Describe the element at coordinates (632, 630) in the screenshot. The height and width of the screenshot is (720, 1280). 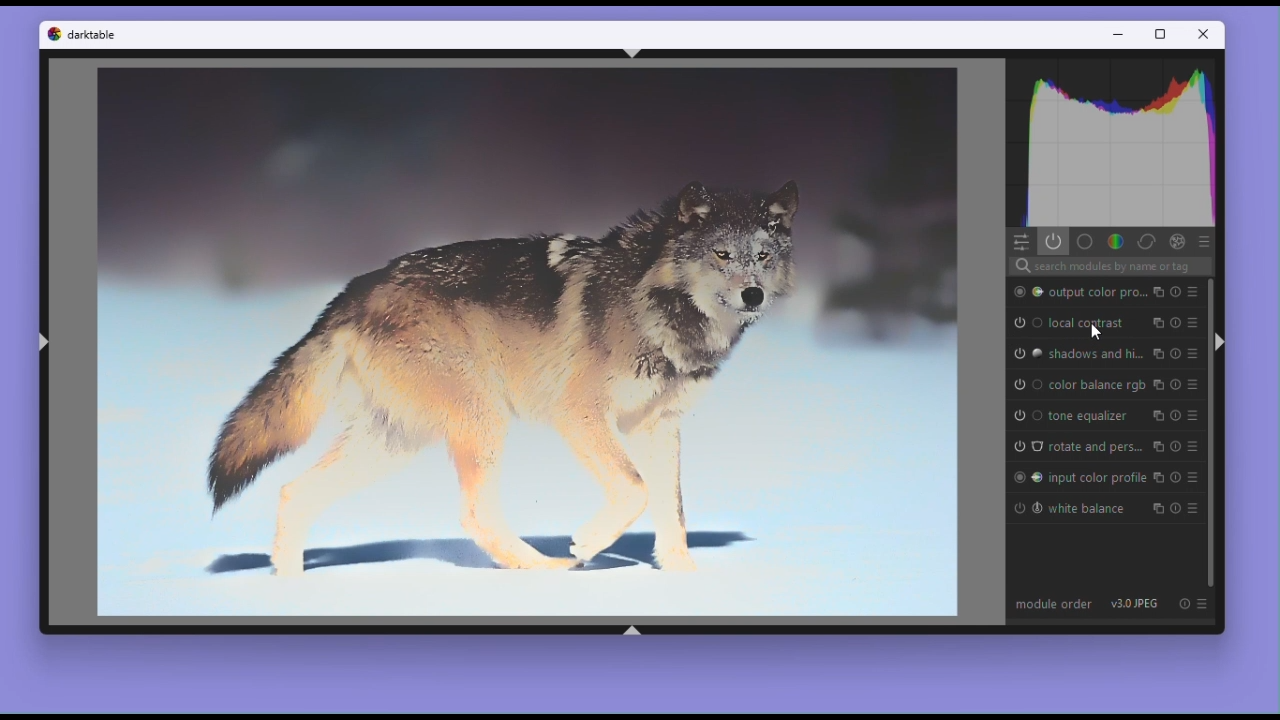
I see `shift+ctrl+b` at that location.